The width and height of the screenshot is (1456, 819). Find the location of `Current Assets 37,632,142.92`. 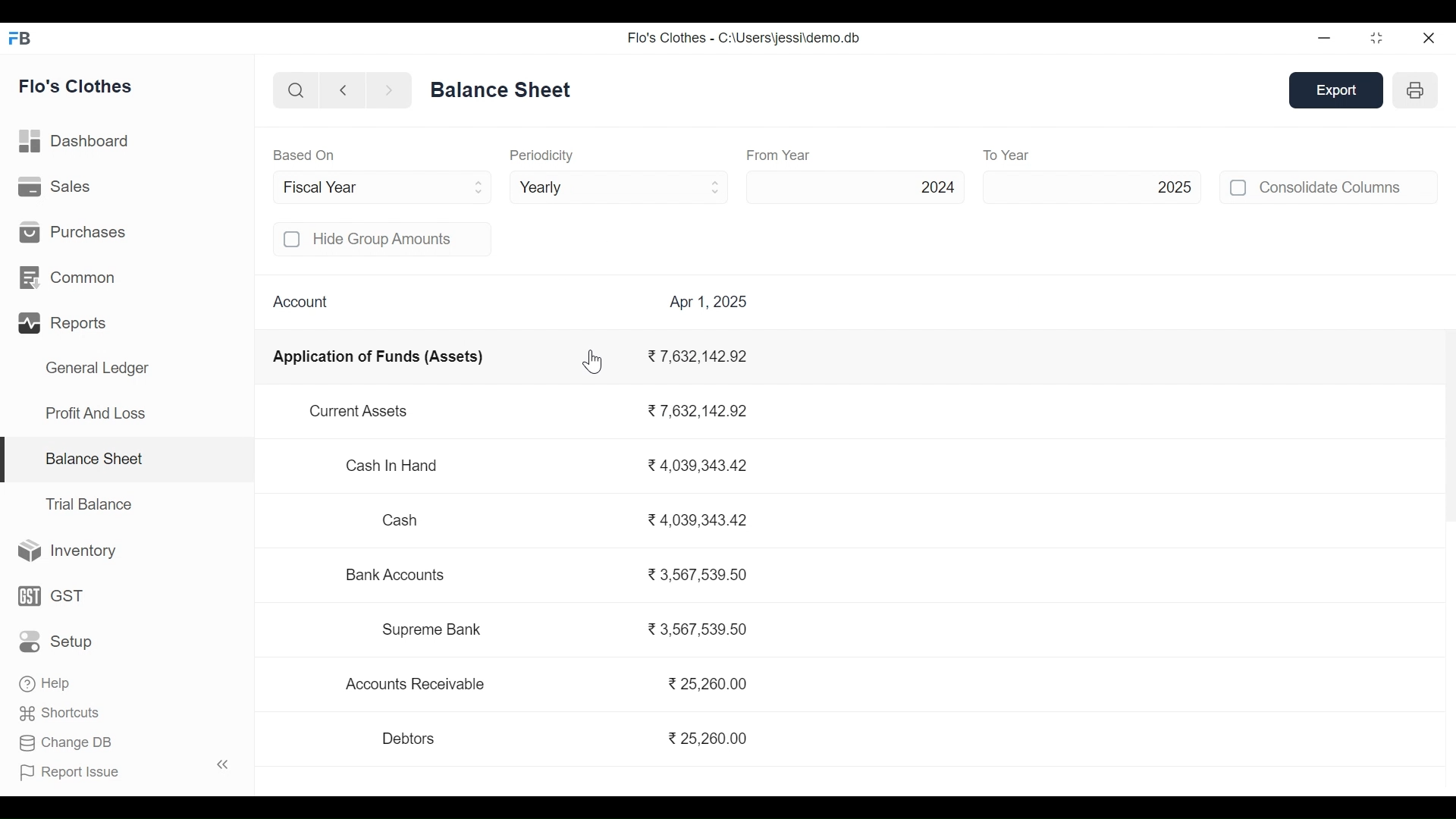

Current Assets 37,632,142.92 is located at coordinates (535, 413).